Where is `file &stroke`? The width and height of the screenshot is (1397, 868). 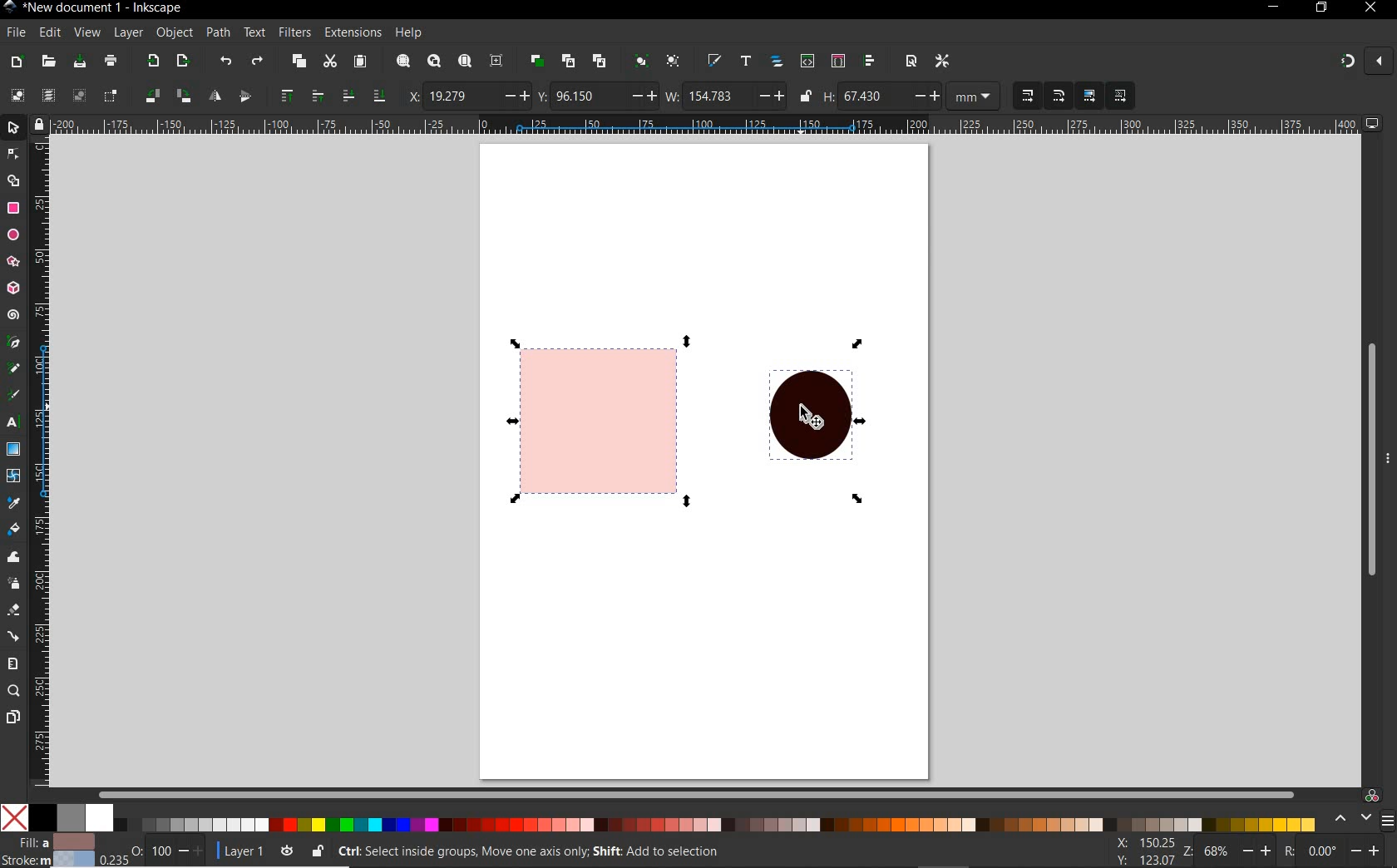
file &stroke is located at coordinates (48, 850).